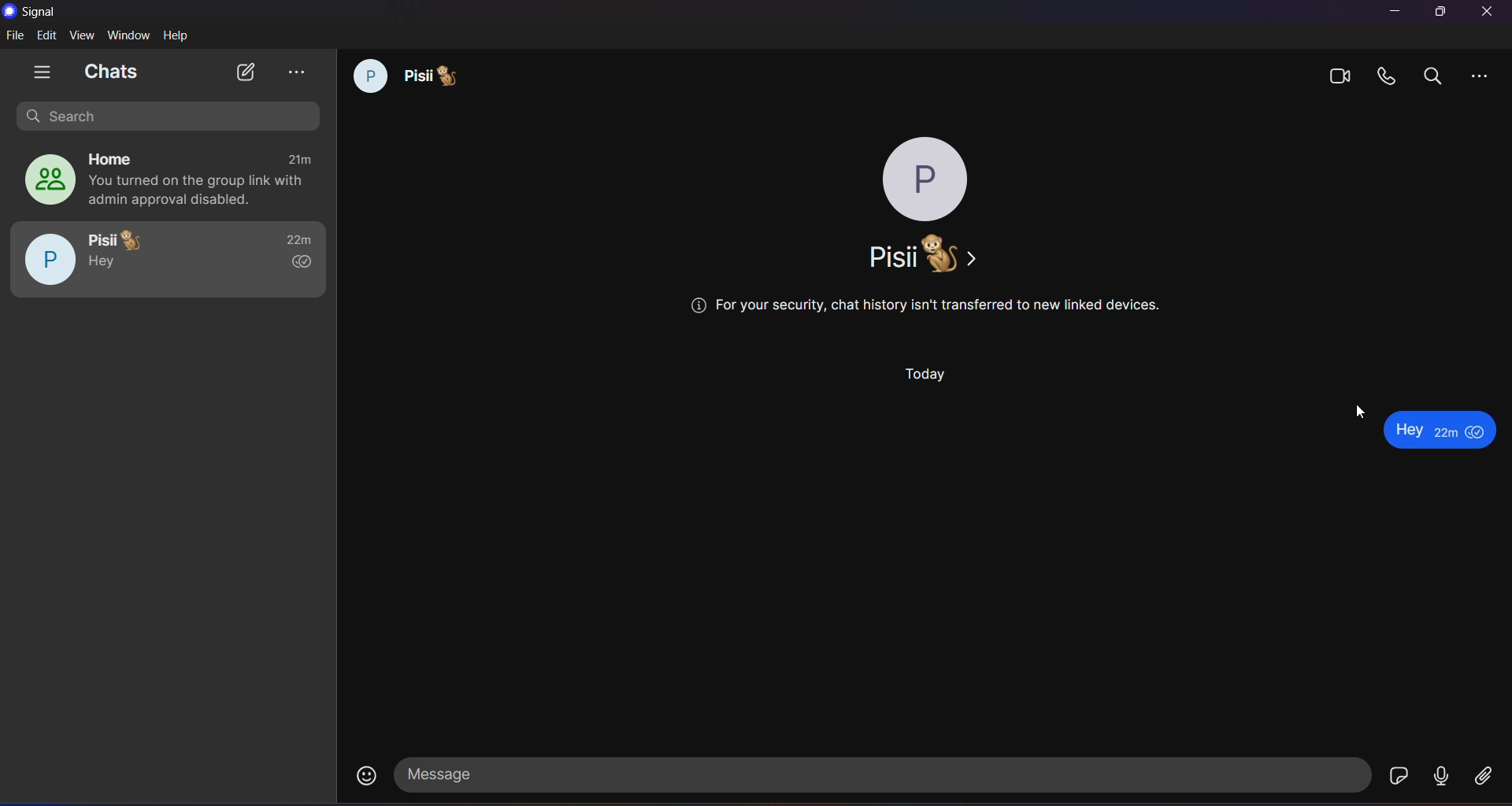  What do you see at coordinates (163, 116) in the screenshot?
I see `search` at bounding box center [163, 116].